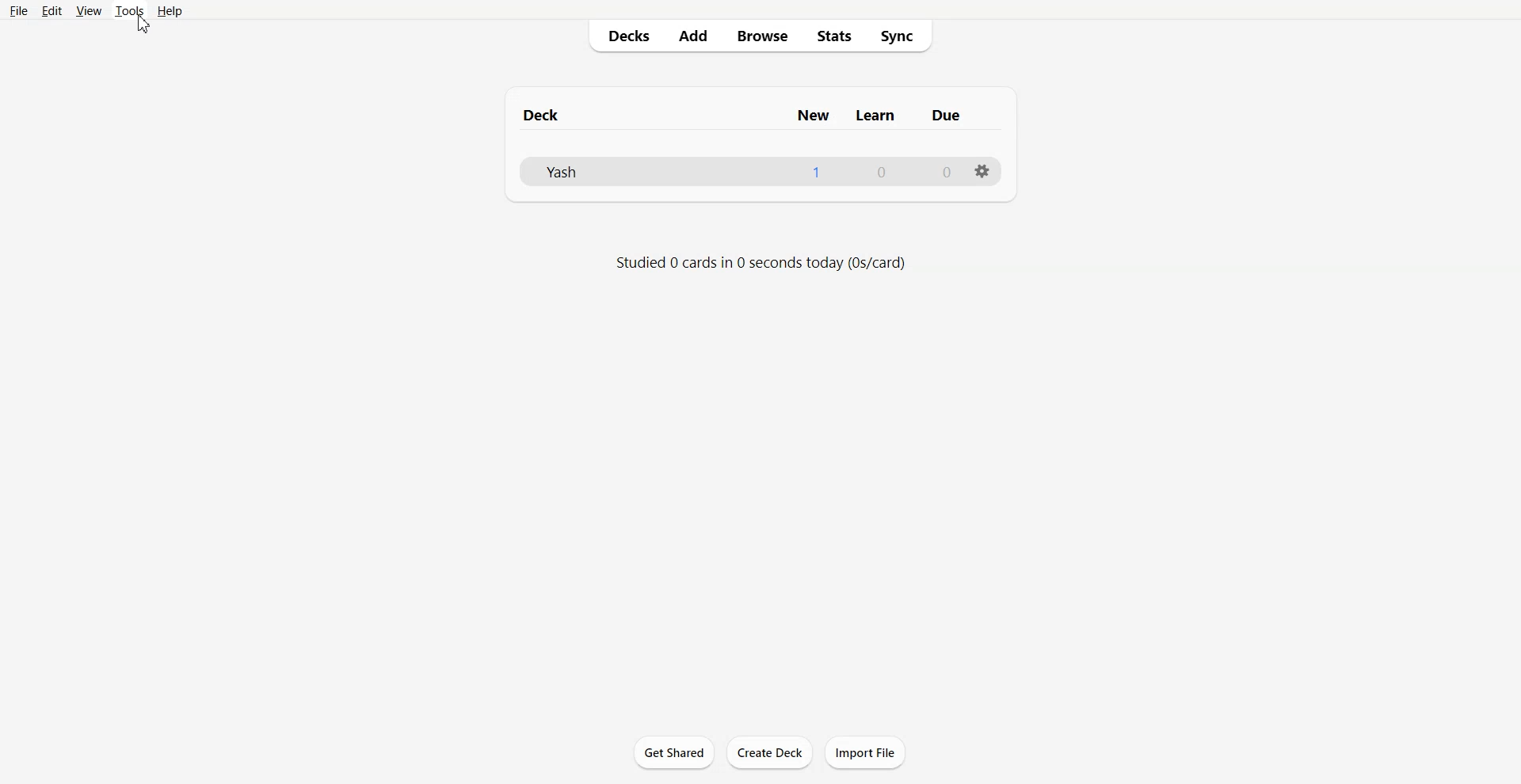 Image resolution: width=1521 pixels, height=784 pixels. Describe the element at coordinates (129, 11) in the screenshot. I see `Tools` at that location.